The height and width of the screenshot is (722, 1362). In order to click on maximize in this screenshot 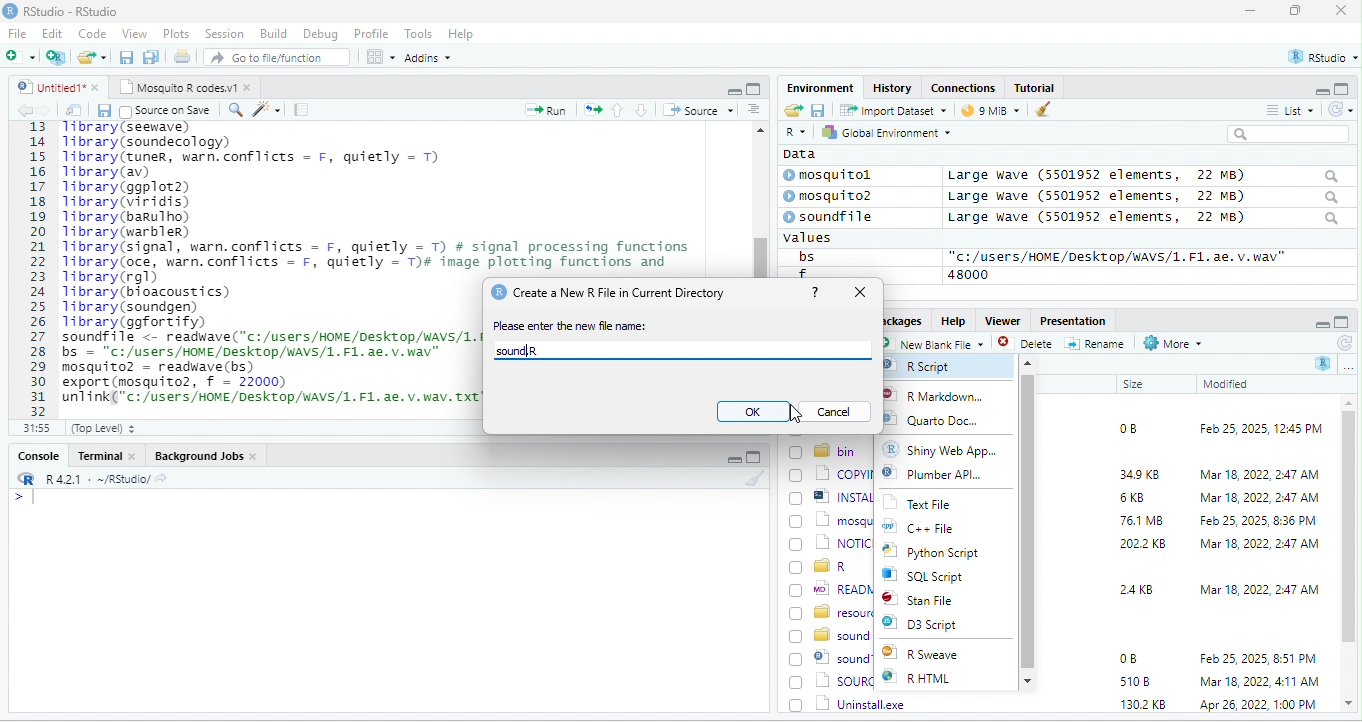, I will do `click(1299, 12)`.